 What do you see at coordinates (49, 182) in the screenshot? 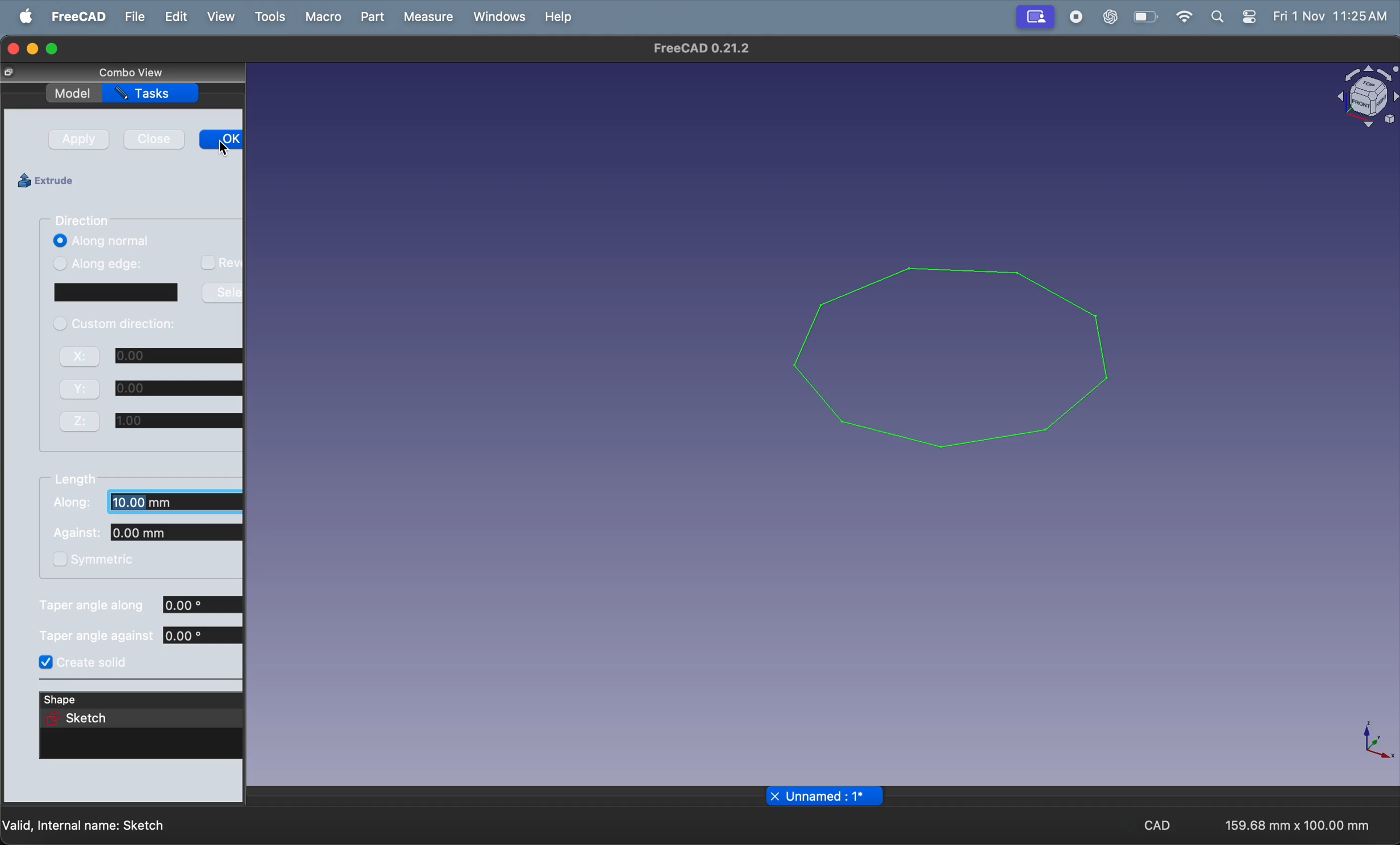
I see `extrude` at bounding box center [49, 182].